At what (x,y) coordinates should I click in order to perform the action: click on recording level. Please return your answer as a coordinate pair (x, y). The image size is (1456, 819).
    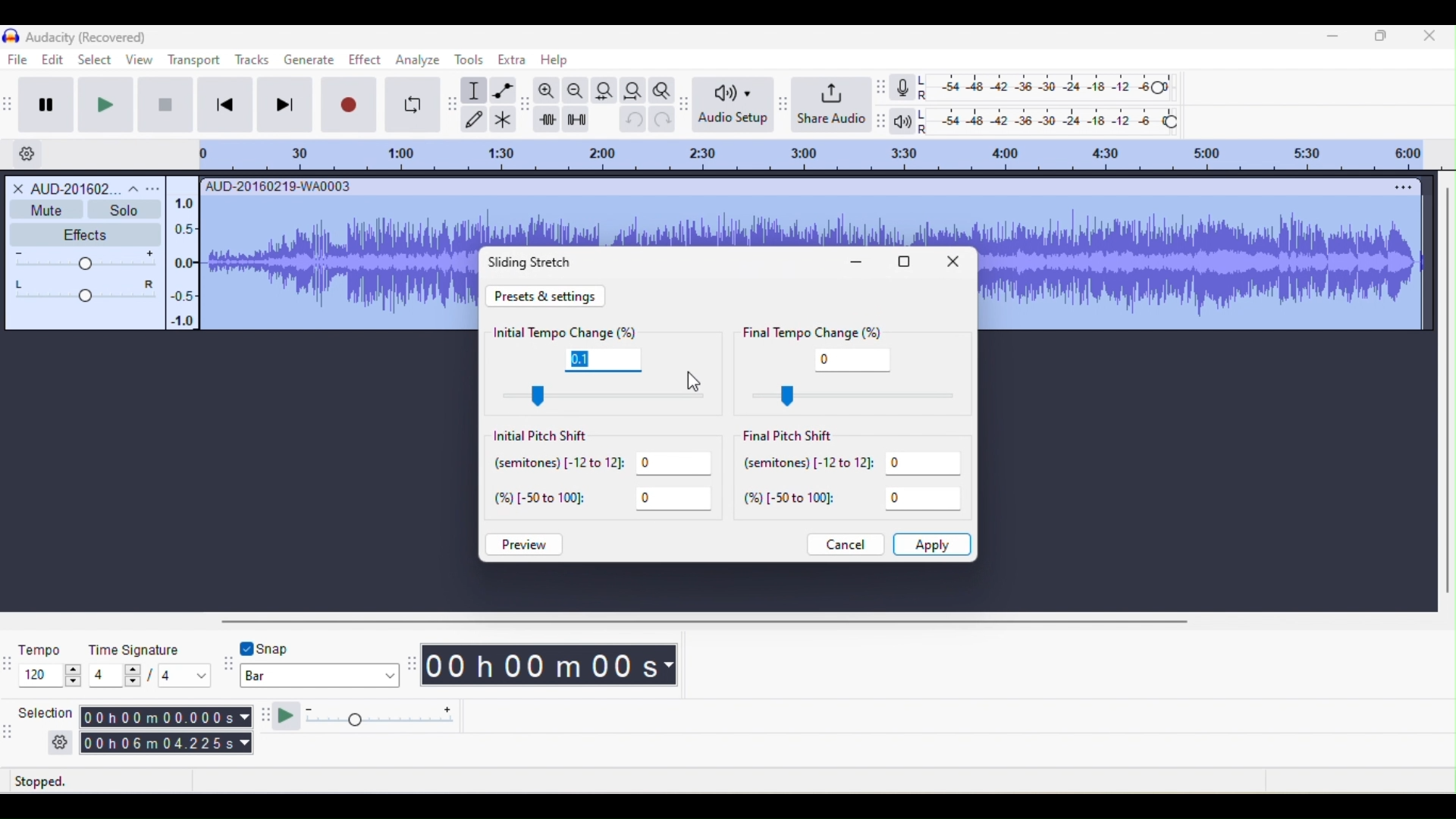
    Looking at the image, I should click on (1047, 86).